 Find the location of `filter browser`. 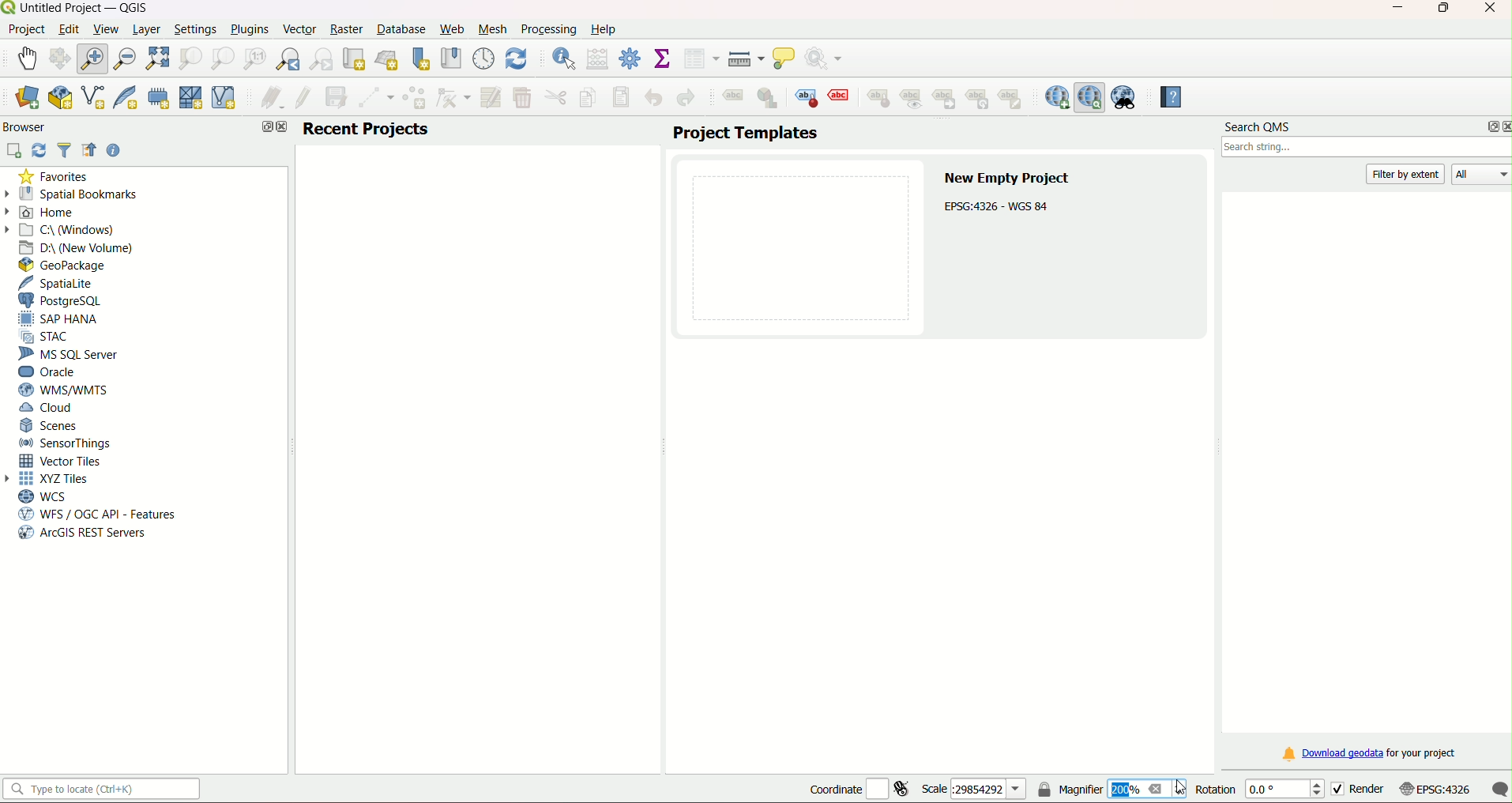

filter browser is located at coordinates (66, 152).